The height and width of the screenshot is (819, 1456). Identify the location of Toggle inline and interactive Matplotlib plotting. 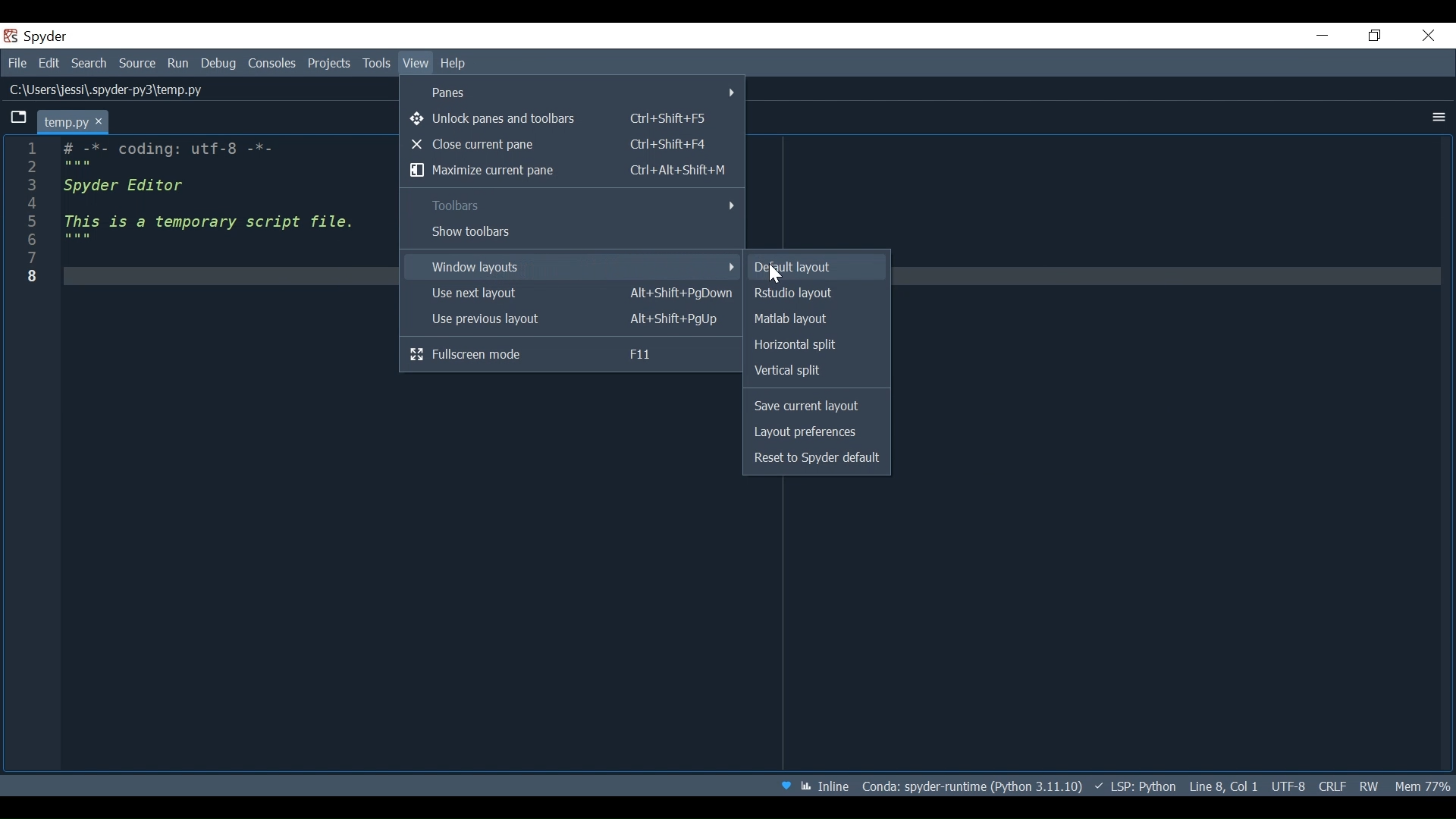
(826, 786).